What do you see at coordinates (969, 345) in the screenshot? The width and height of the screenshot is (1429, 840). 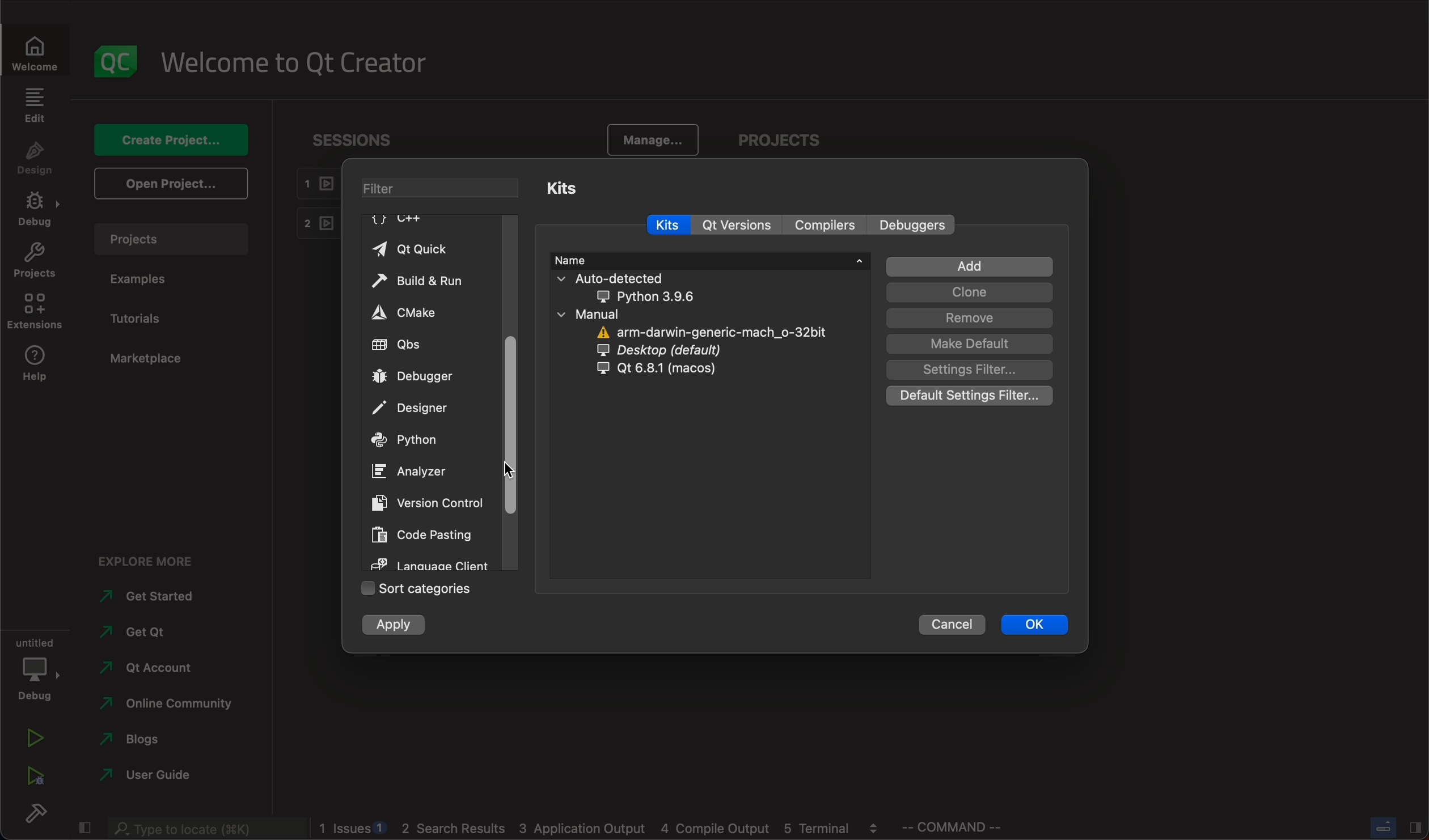 I see `make default` at bounding box center [969, 345].